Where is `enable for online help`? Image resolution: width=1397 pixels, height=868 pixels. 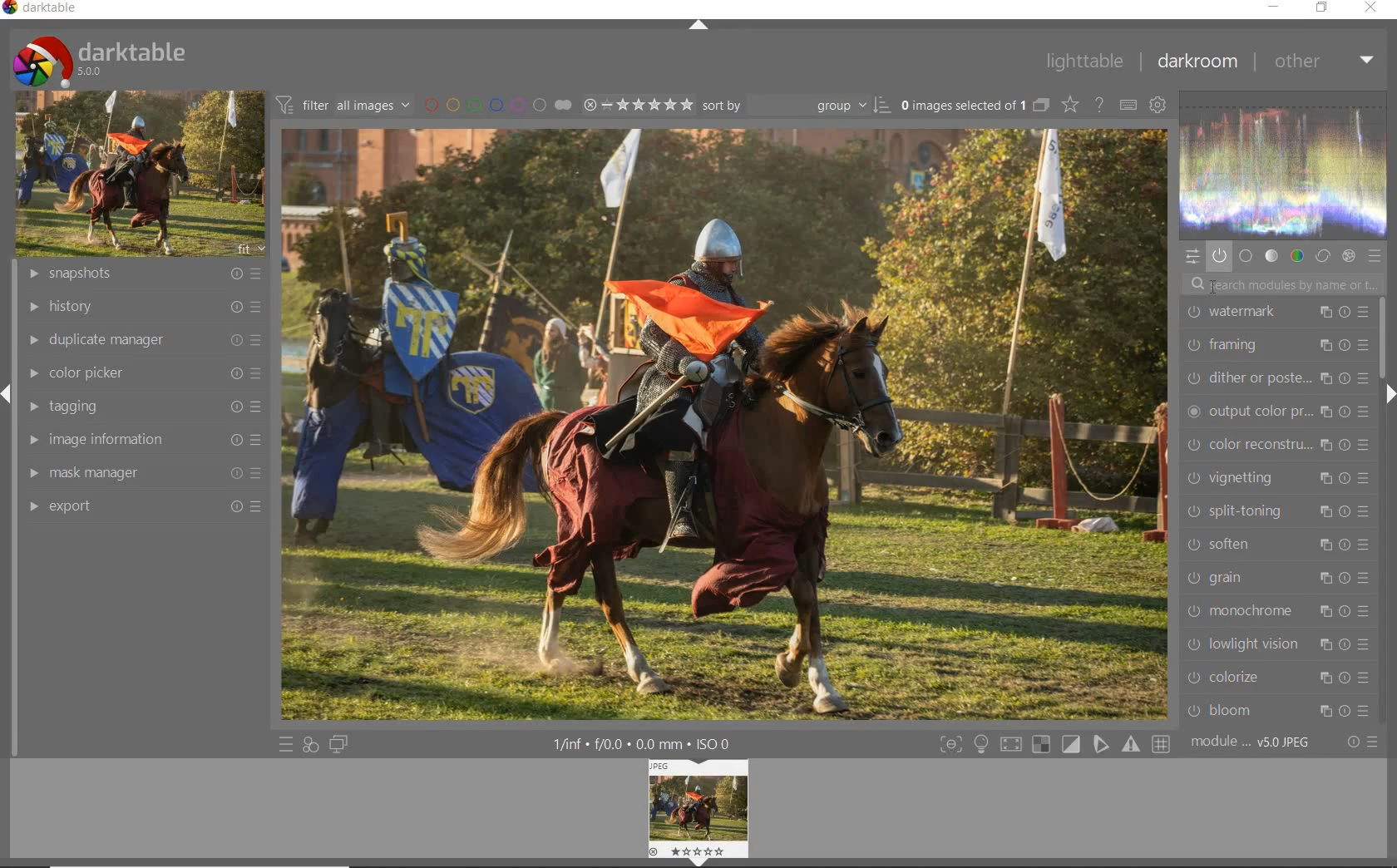
enable for online help is located at coordinates (1099, 104).